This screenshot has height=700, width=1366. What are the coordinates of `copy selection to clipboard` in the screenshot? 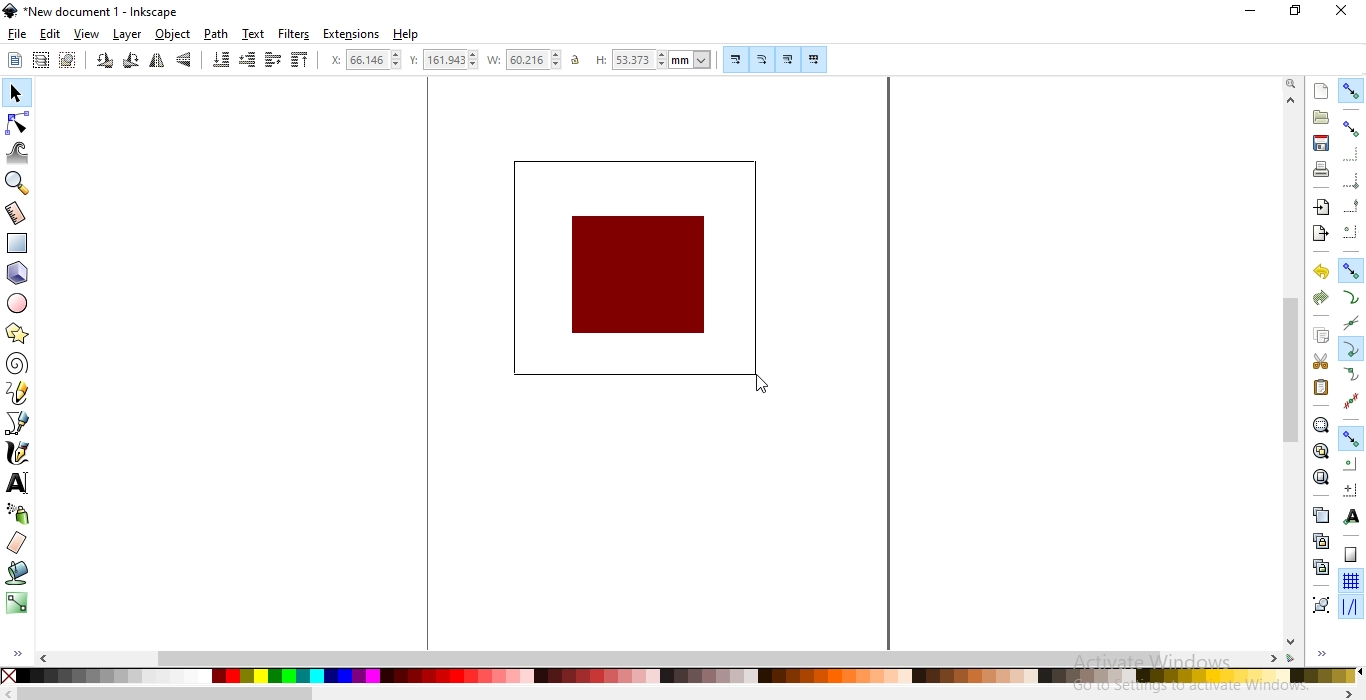 It's located at (1320, 336).